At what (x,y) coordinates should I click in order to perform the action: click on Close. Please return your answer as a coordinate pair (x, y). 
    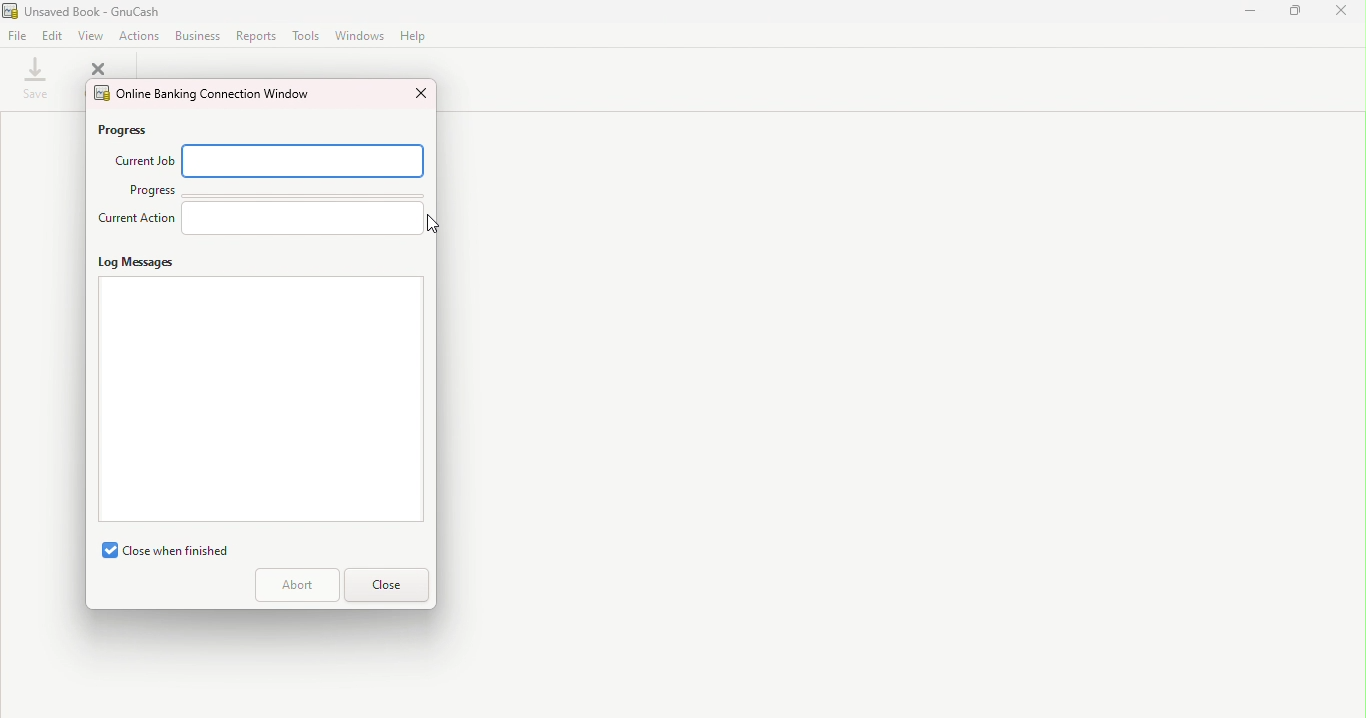
    Looking at the image, I should click on (418, 92).